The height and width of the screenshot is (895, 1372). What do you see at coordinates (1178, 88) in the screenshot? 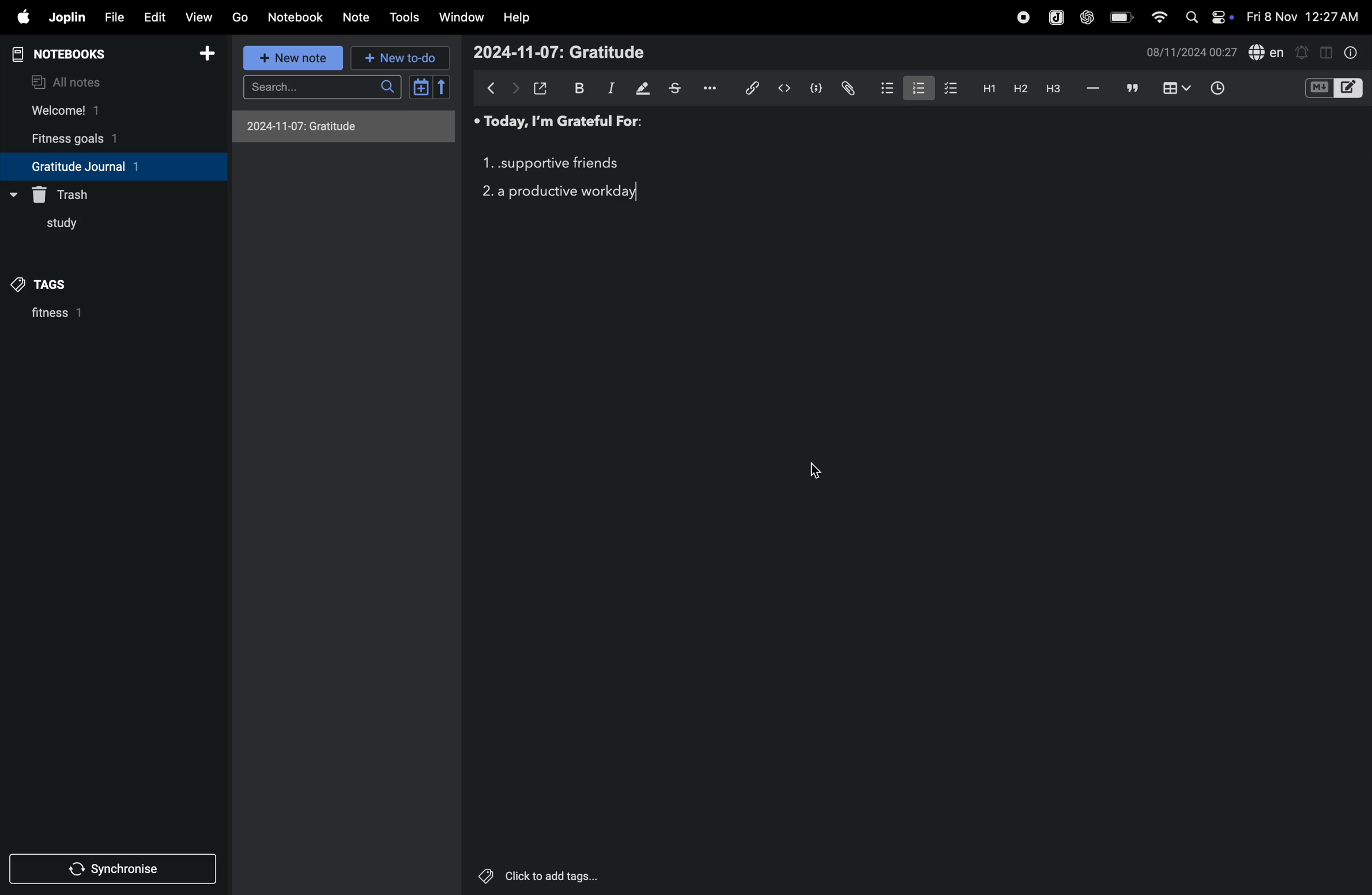
I see `table view` at bounding box center [1178, 88].